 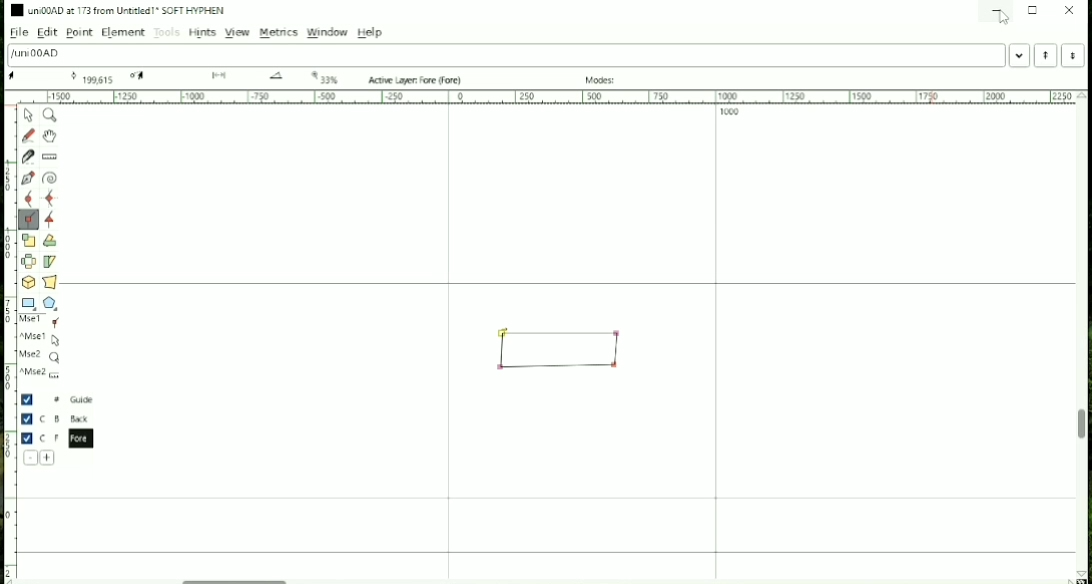 What do you see at coordinates (1076, 55) in the screenshot?
I see `Next Word` at bounding box center [1076, 55].